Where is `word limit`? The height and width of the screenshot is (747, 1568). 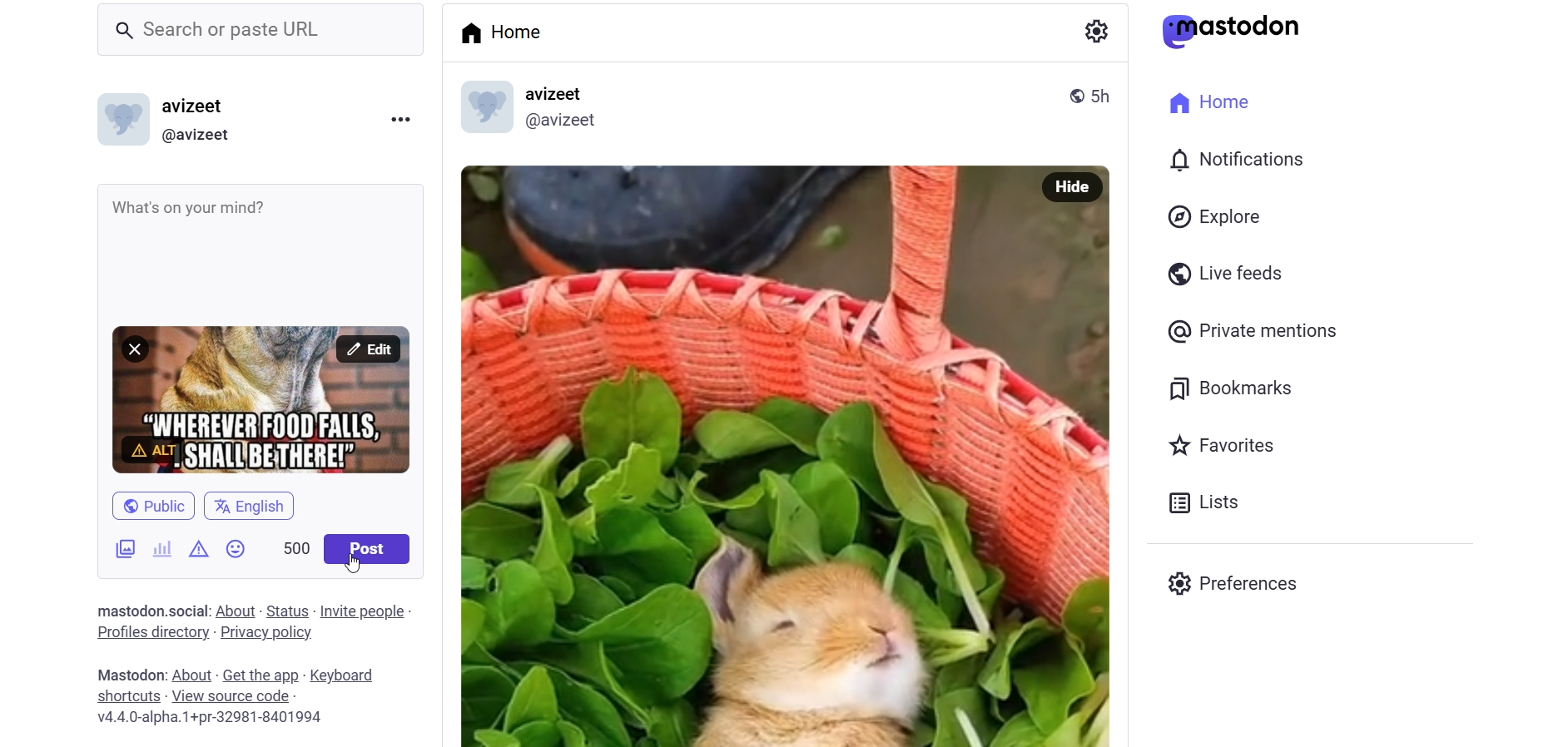
word limit is located at coordinates (297, 545).